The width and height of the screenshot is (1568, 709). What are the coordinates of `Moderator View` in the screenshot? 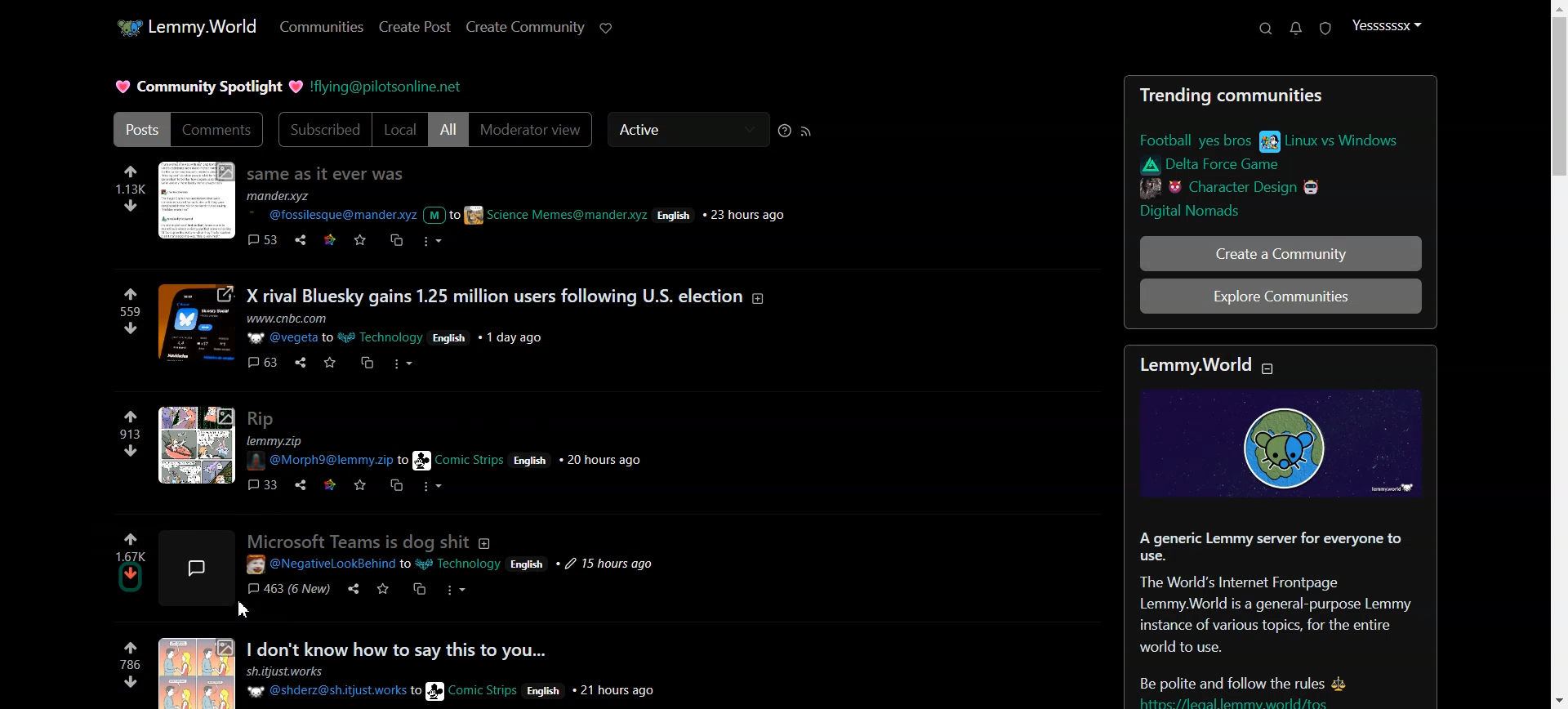 It's located at (533, 129).